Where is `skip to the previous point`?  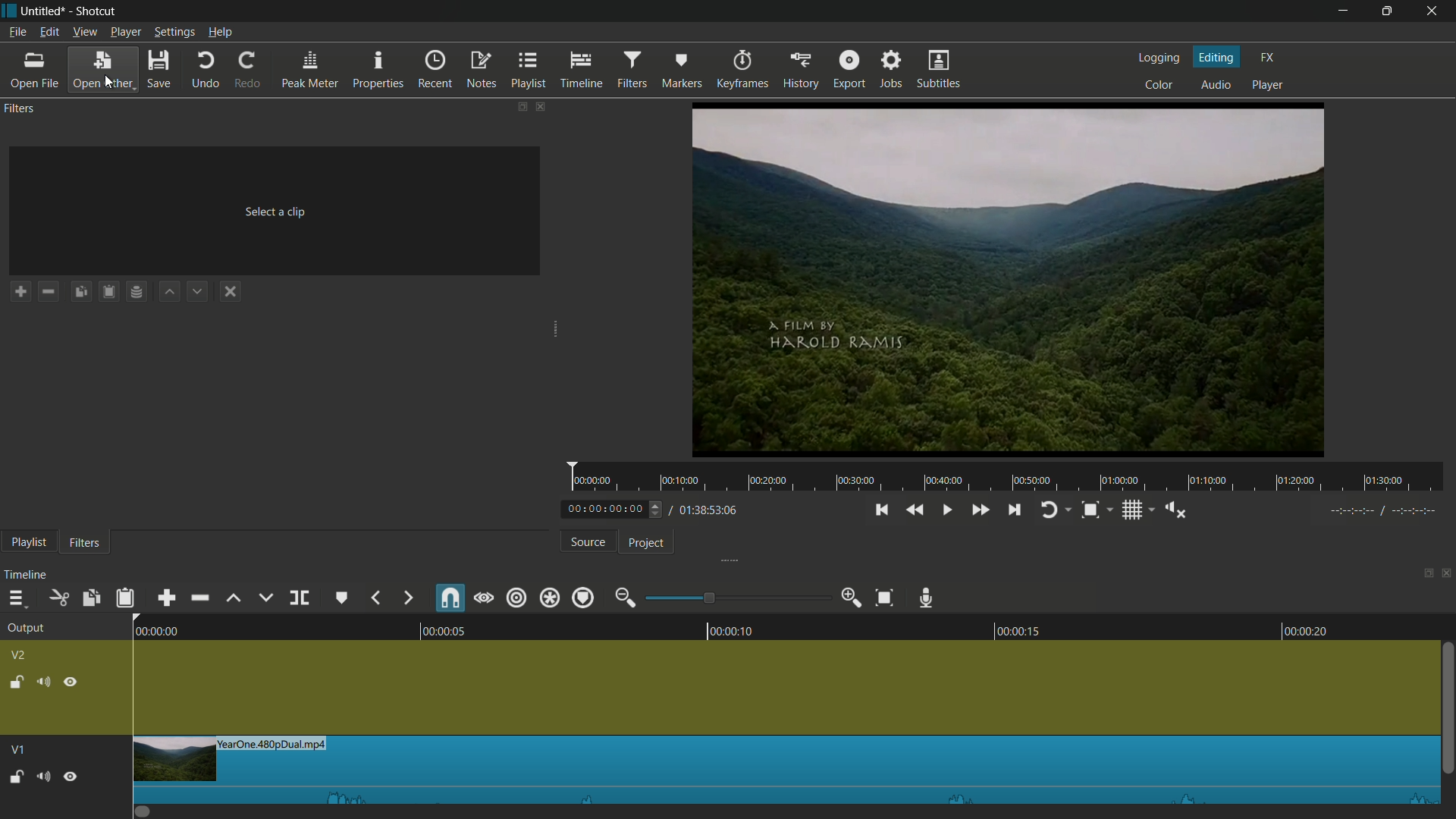
skip to the previous point is located at coordinates (884, 508).